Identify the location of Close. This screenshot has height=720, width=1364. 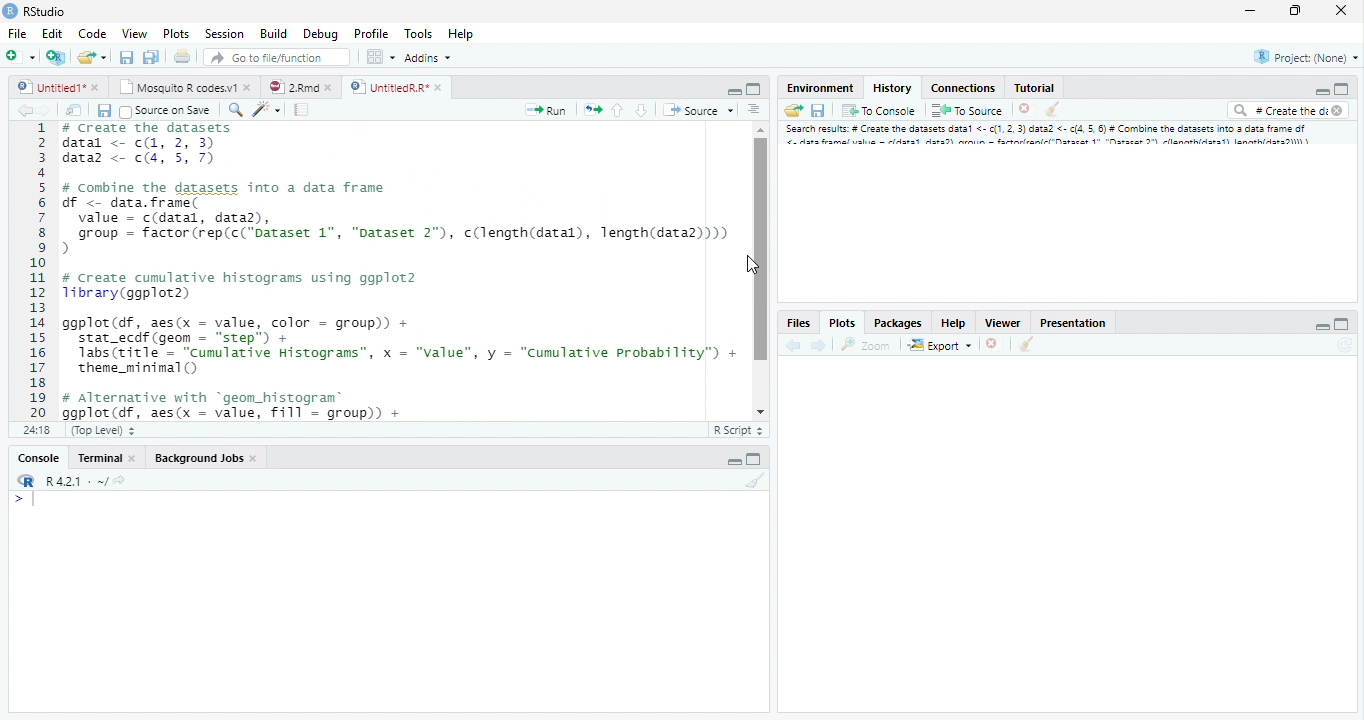
(1339, 10).